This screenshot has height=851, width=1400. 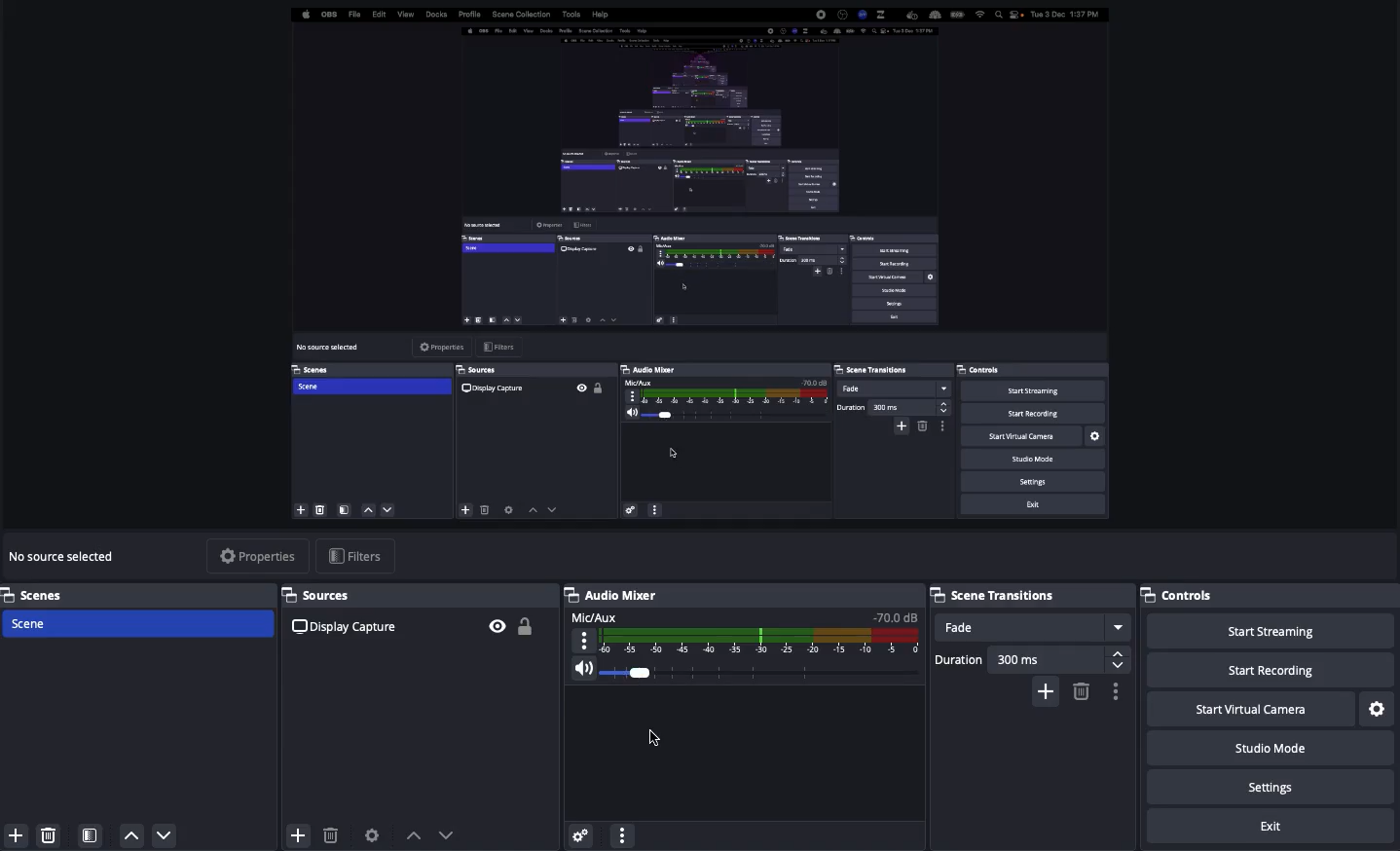 I want to click on Fade, so click(x=1033, y=627).